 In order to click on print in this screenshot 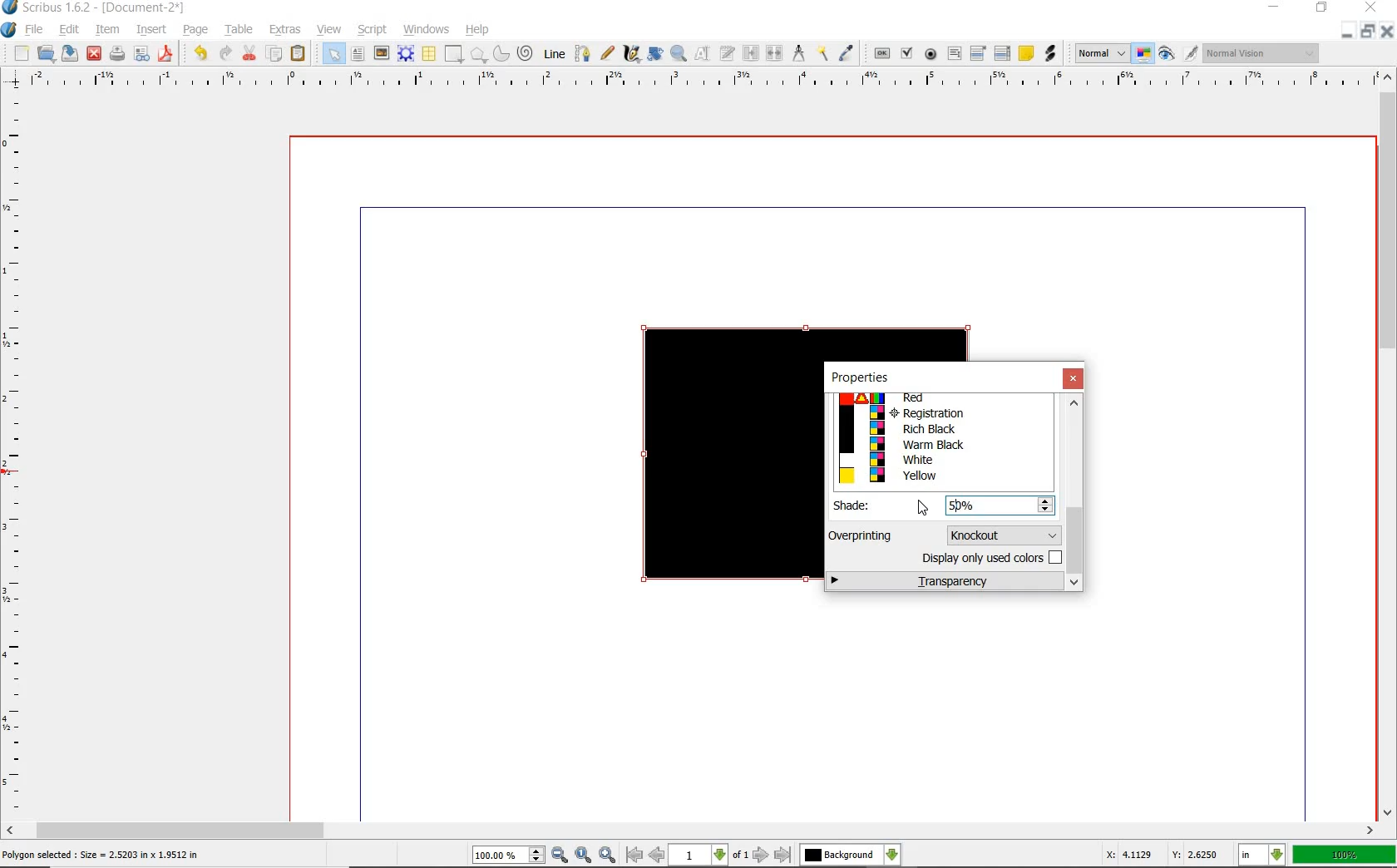, I will do `click(119, 56)`.